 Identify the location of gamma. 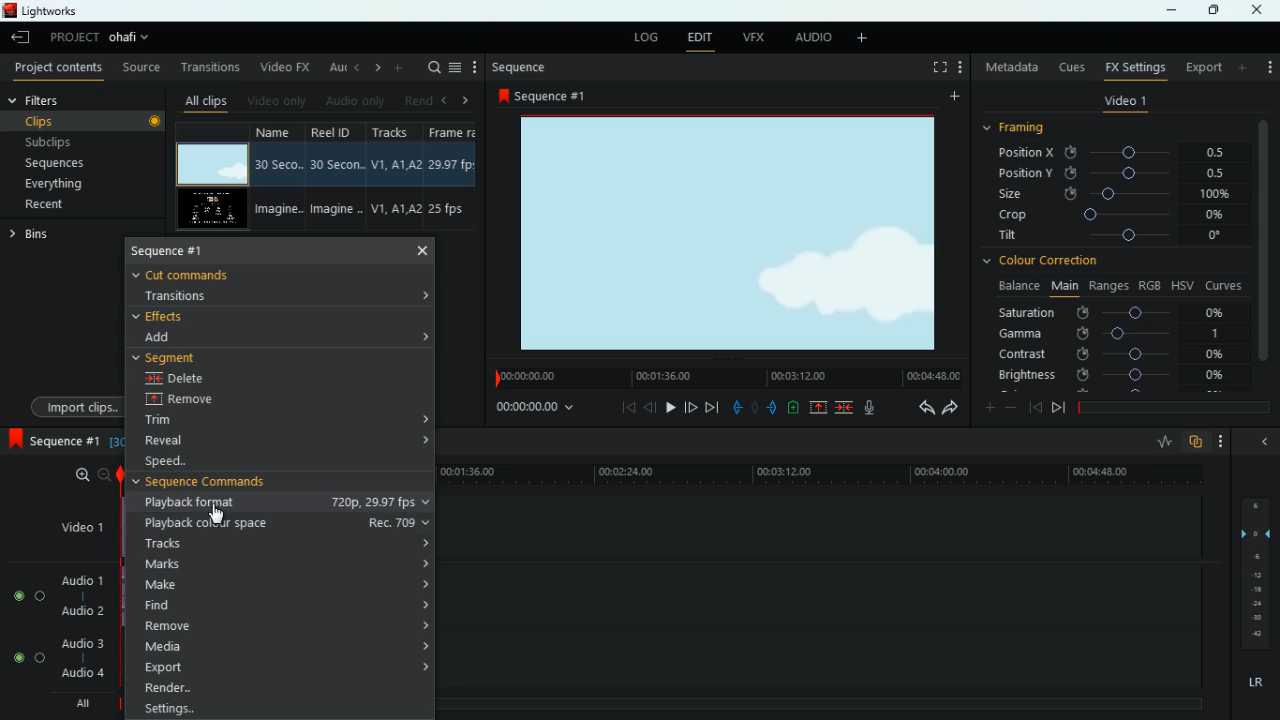
(1123, 335).